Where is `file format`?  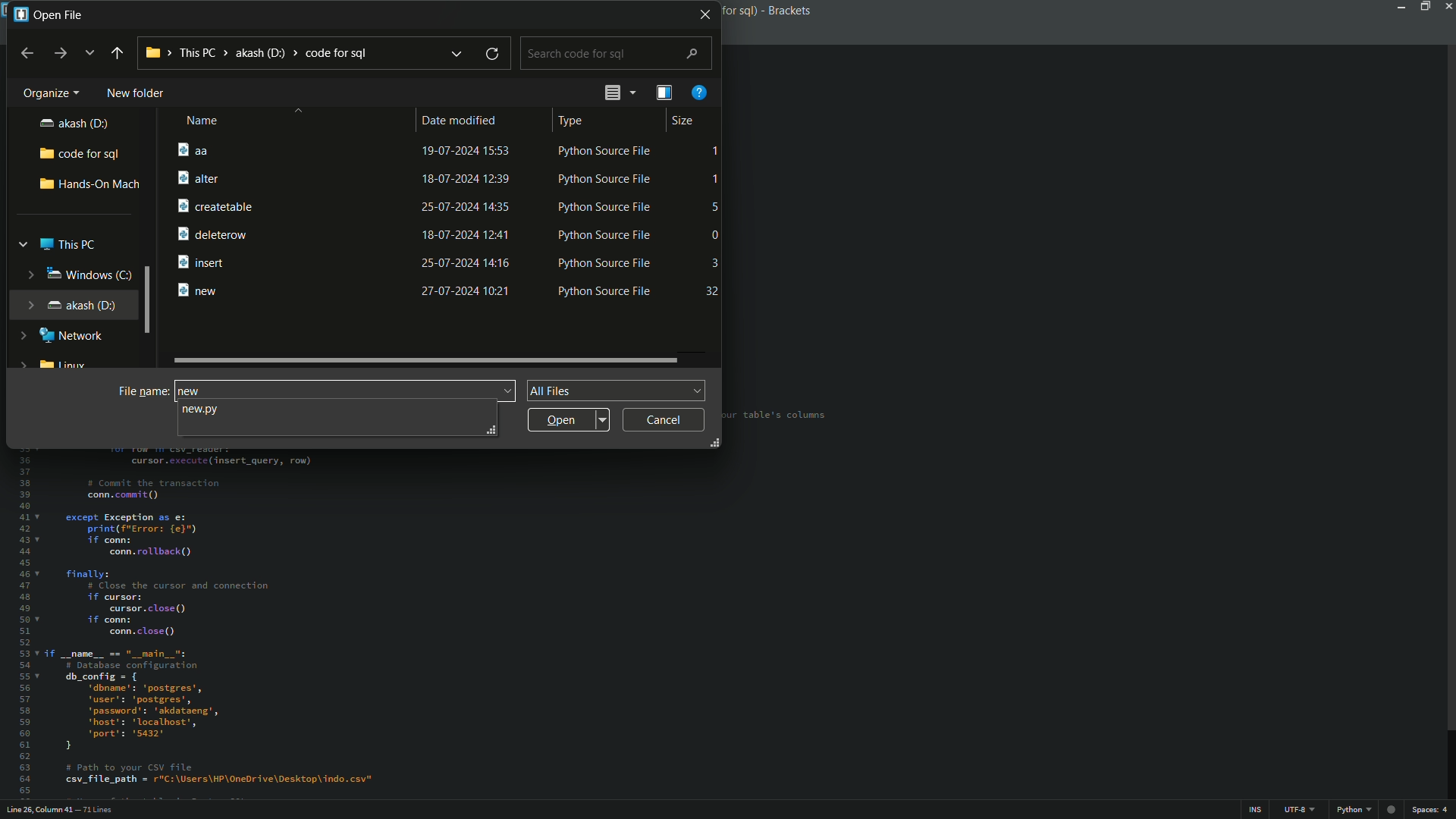 file format is located at coordinates (617, 391).